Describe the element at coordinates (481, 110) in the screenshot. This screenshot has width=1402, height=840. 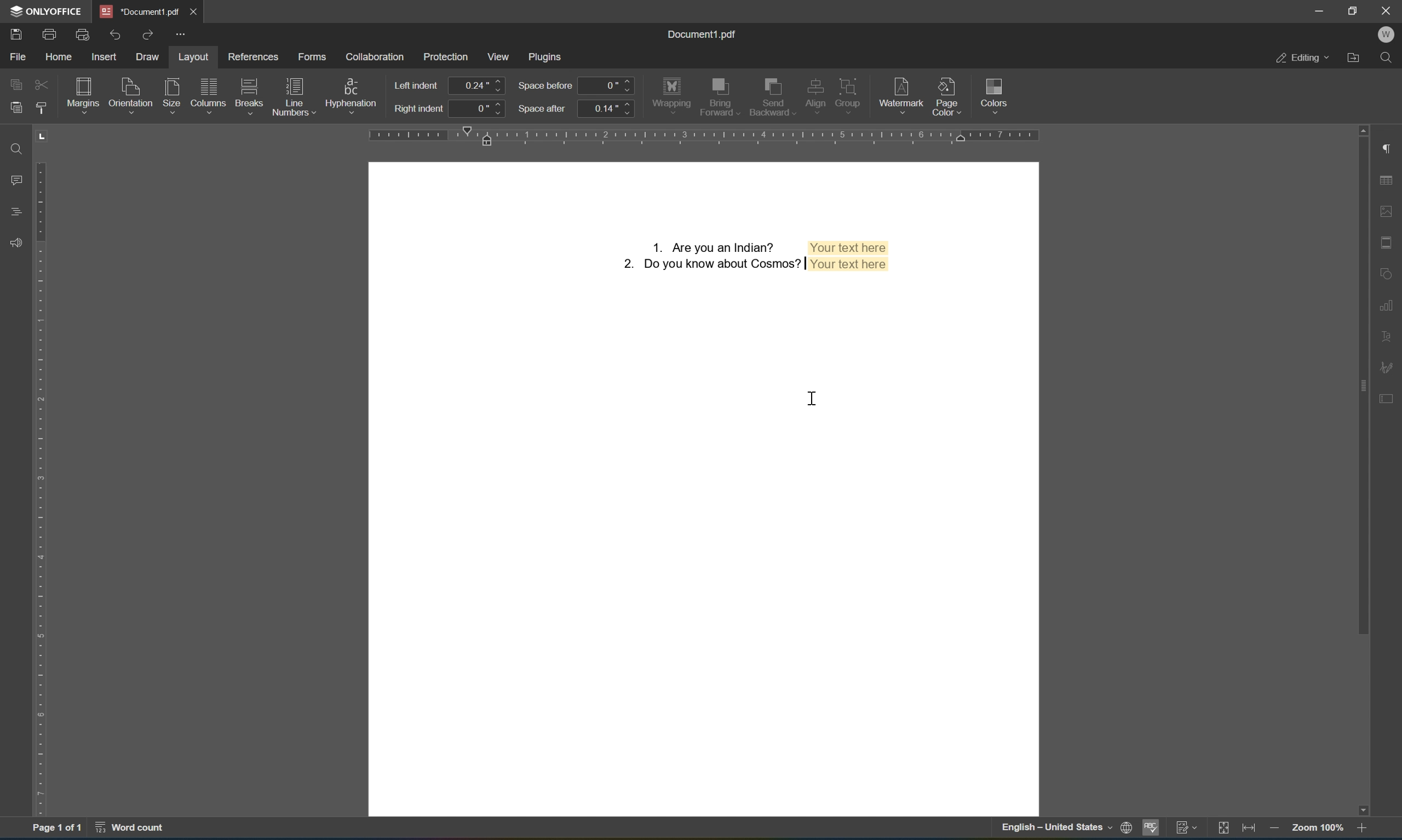
I see `0` at that location.